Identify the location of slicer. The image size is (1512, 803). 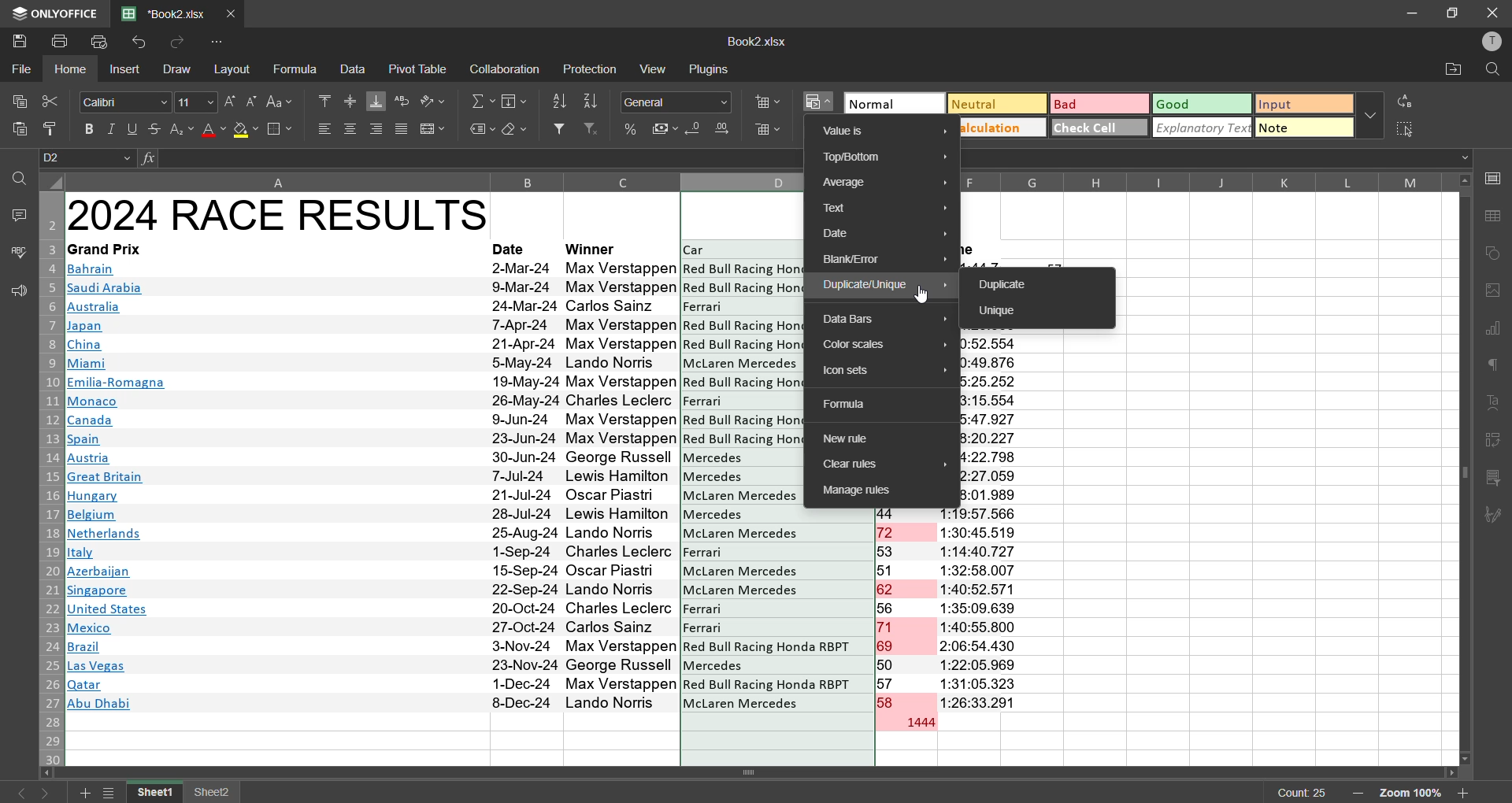
(1494, 479).